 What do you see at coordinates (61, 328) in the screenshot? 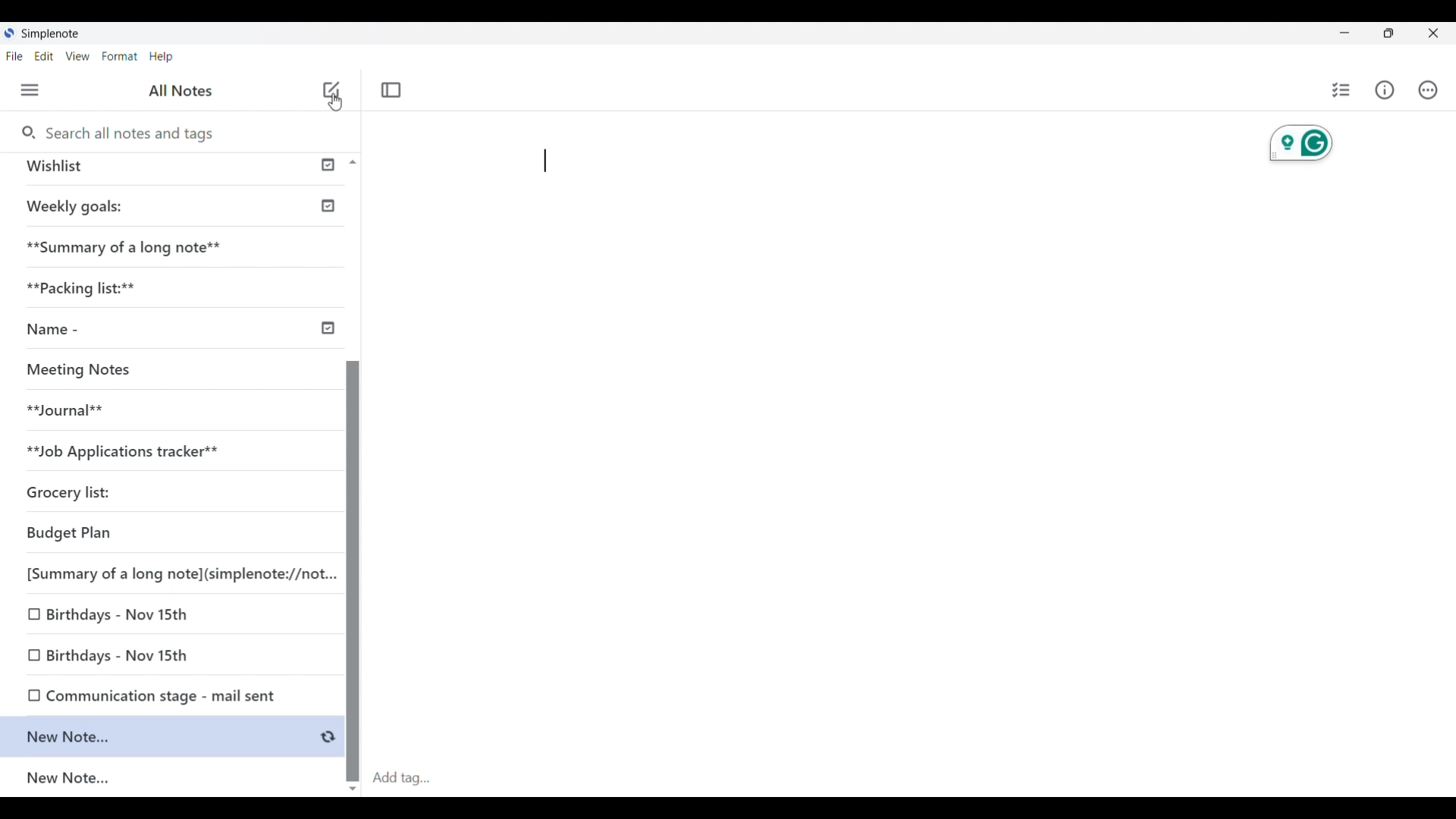
I see `Name -` at bounding box center [61, 328].